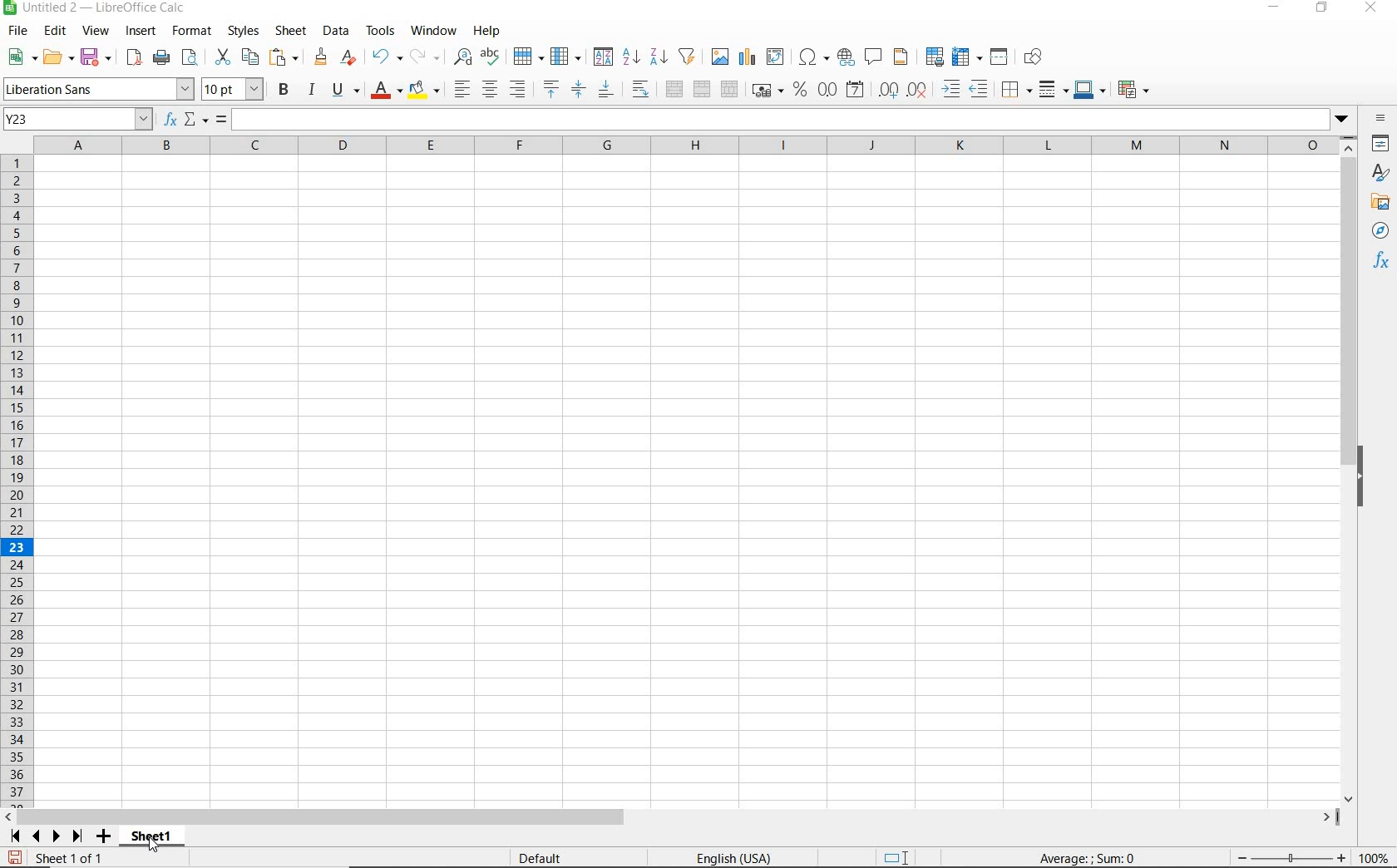  What do you see at coordinates (18, 57) in the screenshot?
I see `NEW` at bounding box center [18, 57].